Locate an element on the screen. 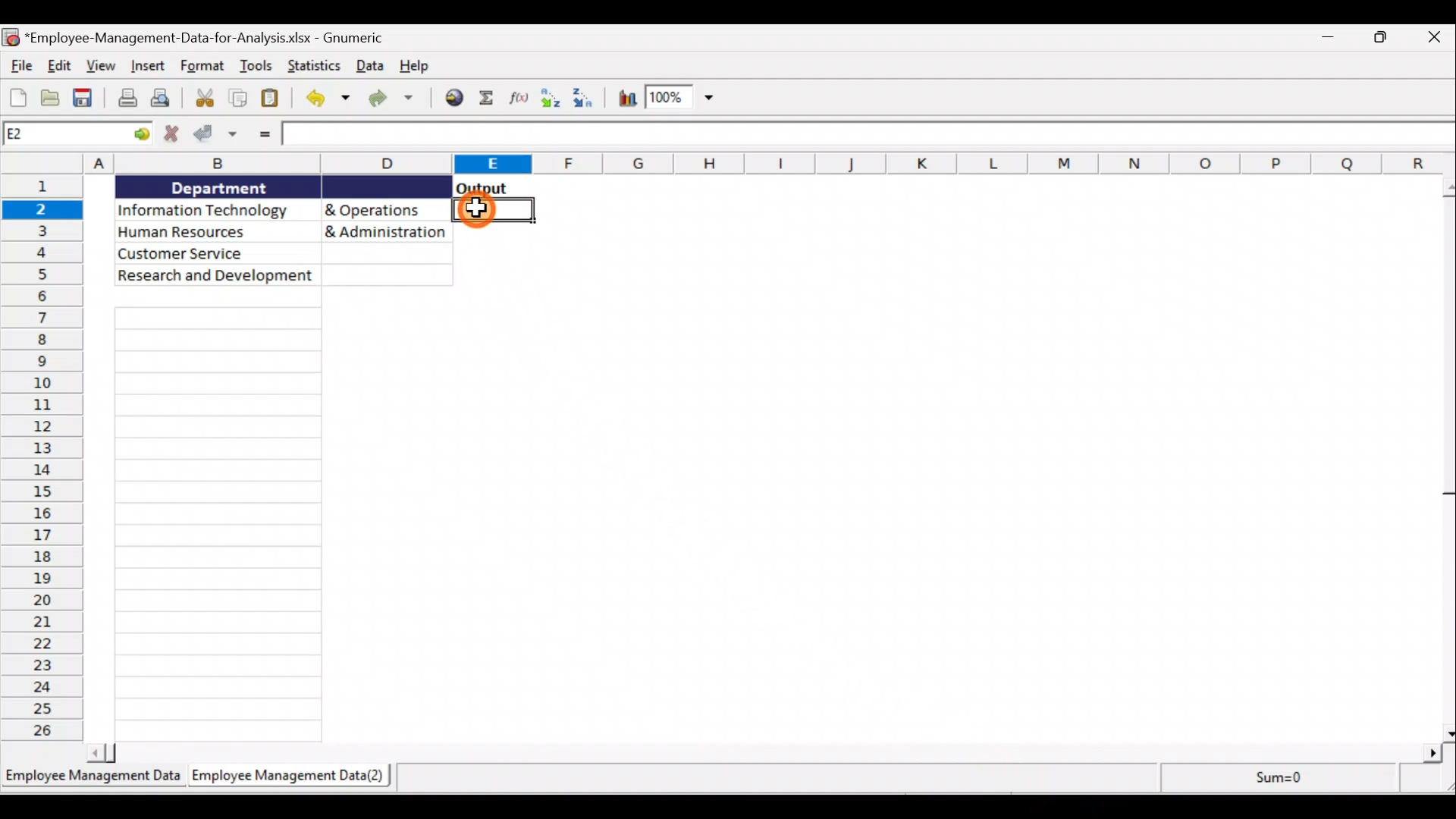 This screenshot has height=819, width=1456. View is located at coordinates (101, 67).